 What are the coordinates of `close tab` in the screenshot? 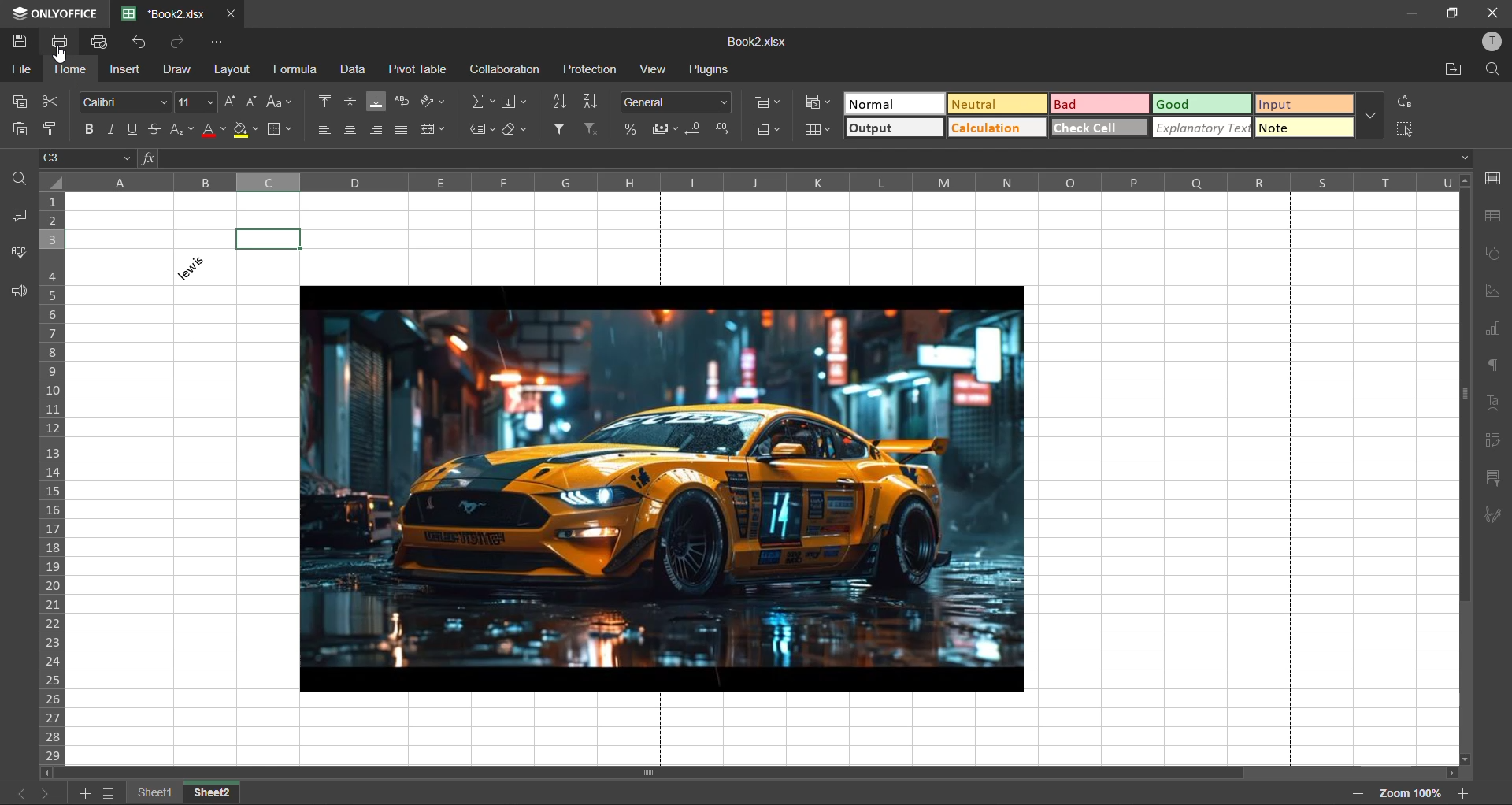 It's located at (229, 11).